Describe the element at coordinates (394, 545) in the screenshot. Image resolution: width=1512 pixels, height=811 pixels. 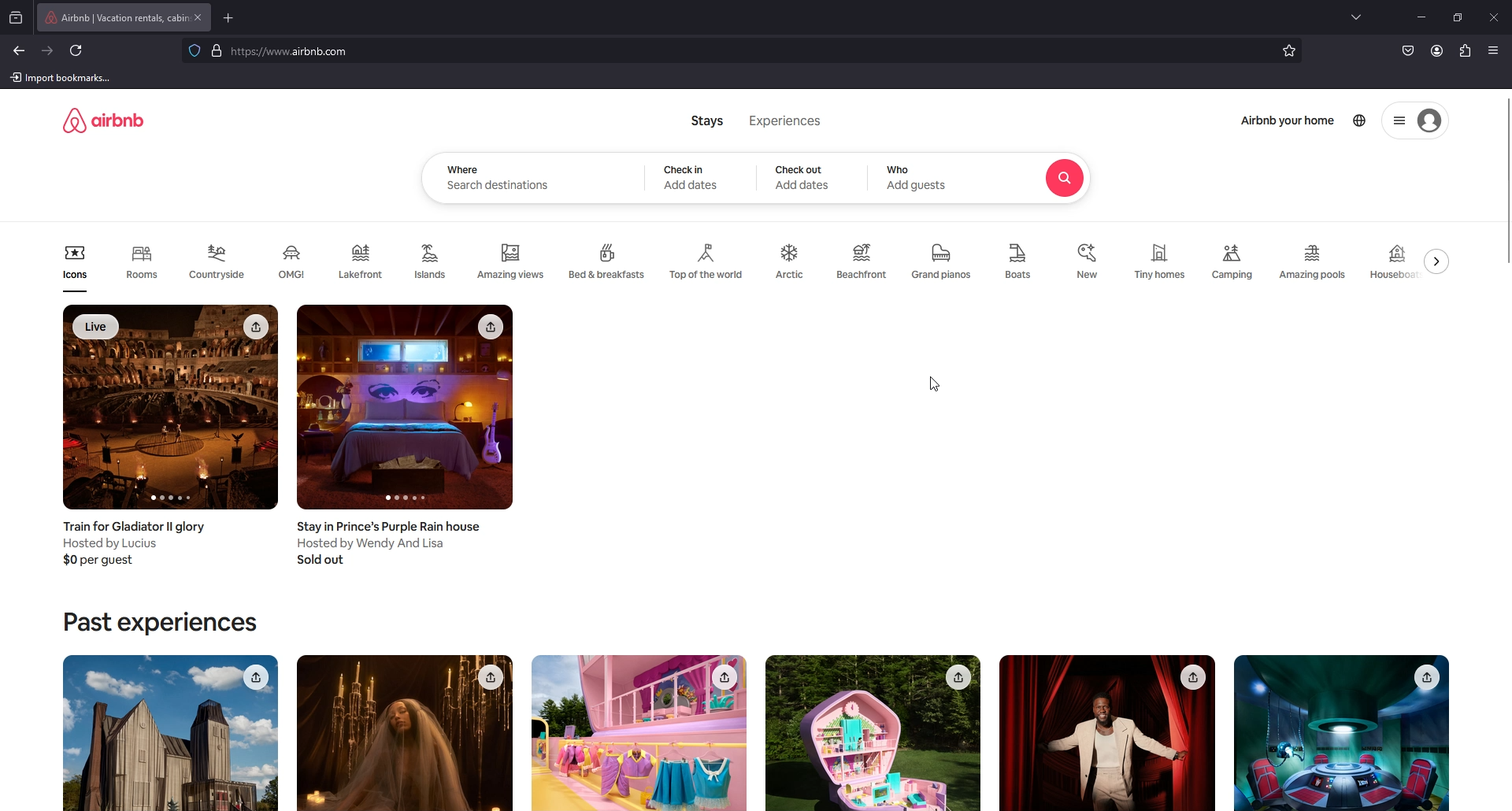
I see `Stay in Prince’s Purple Rain house Hosted by Wendy And Lisa Sold out` at that location.